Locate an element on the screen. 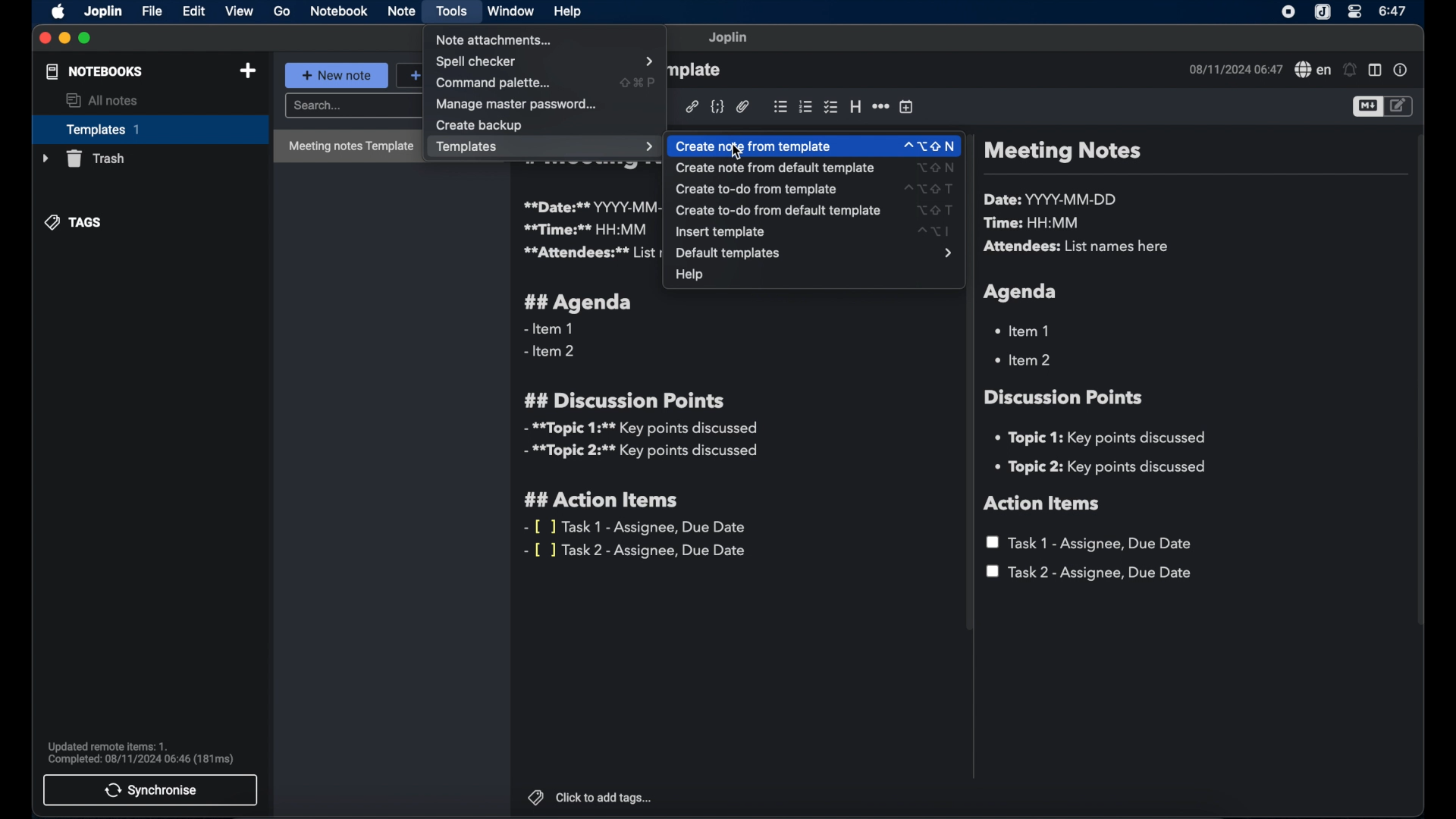  item 1 is located at coordinates (1025, 330).